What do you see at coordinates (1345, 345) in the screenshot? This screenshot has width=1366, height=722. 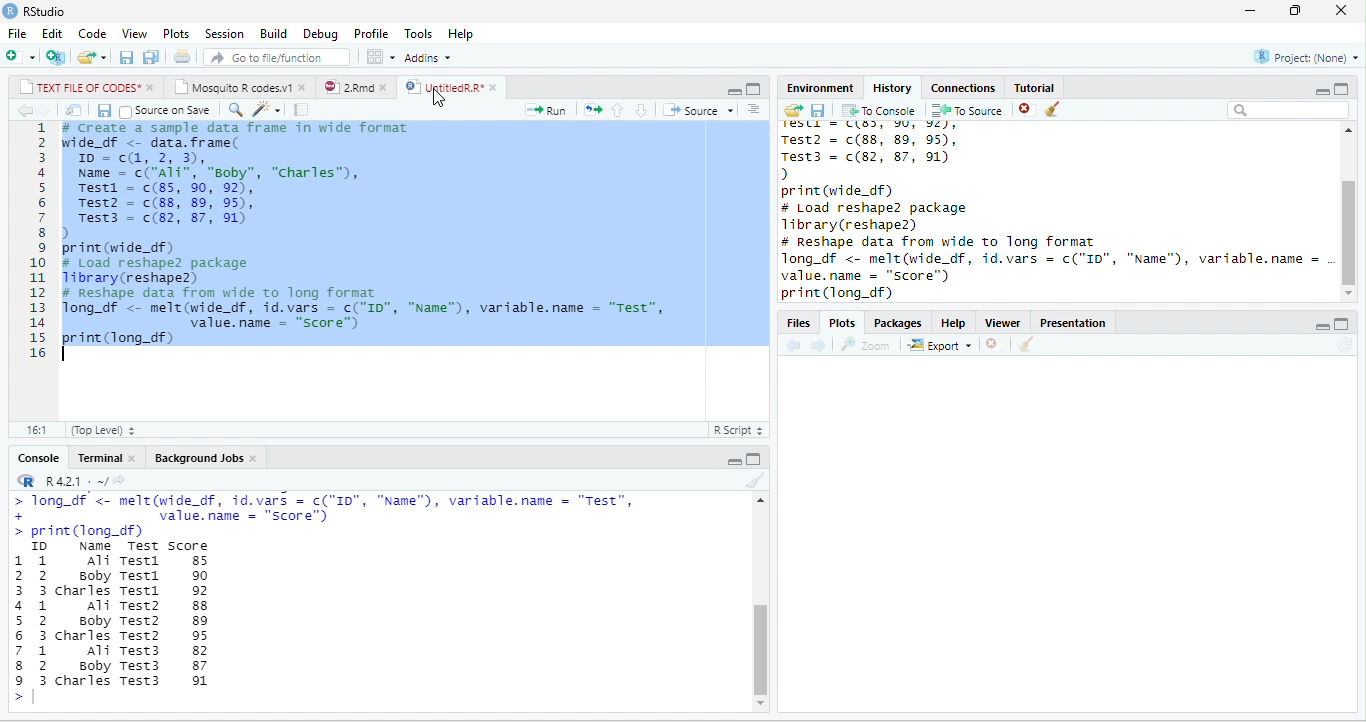 I see `refresh` at bounding box center [1345, 345].